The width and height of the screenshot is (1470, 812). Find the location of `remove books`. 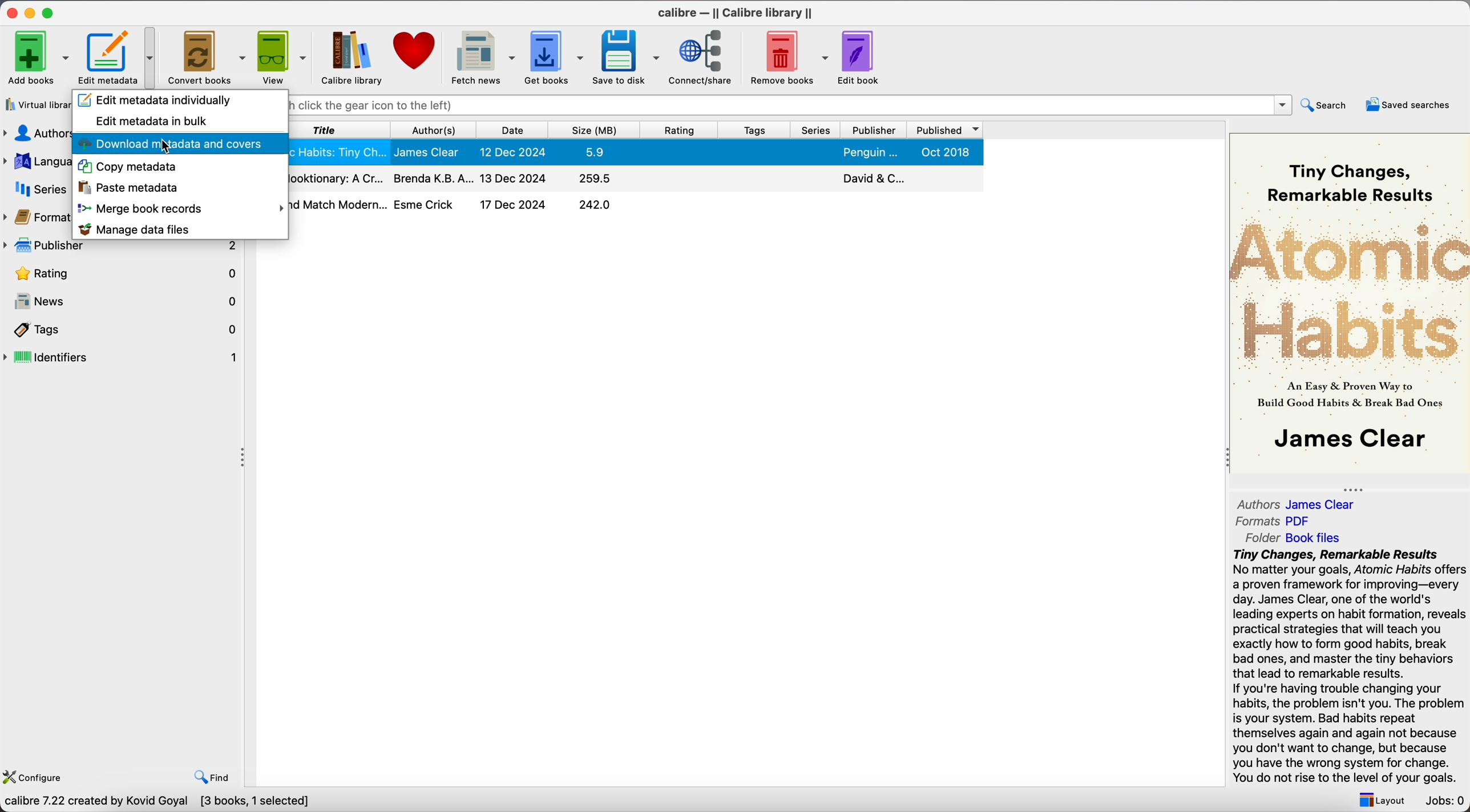

remove books is located at coordinates (790, 57).